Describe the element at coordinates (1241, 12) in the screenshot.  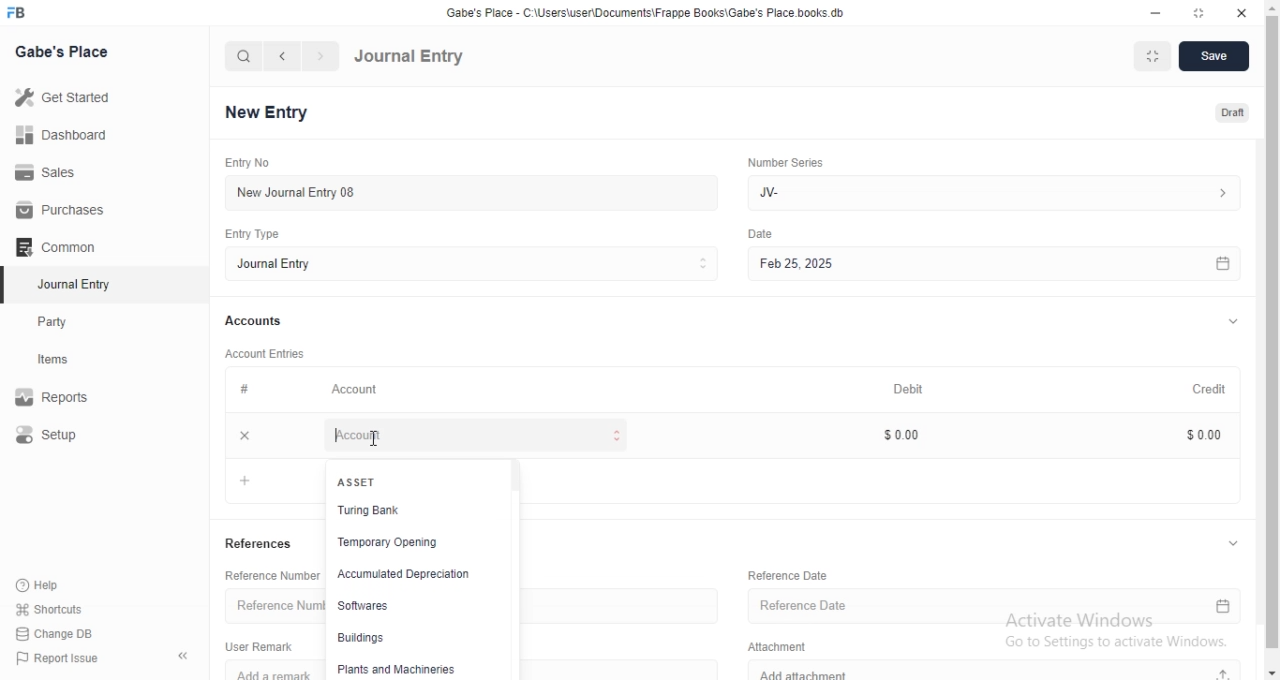
I see `close` at that location.